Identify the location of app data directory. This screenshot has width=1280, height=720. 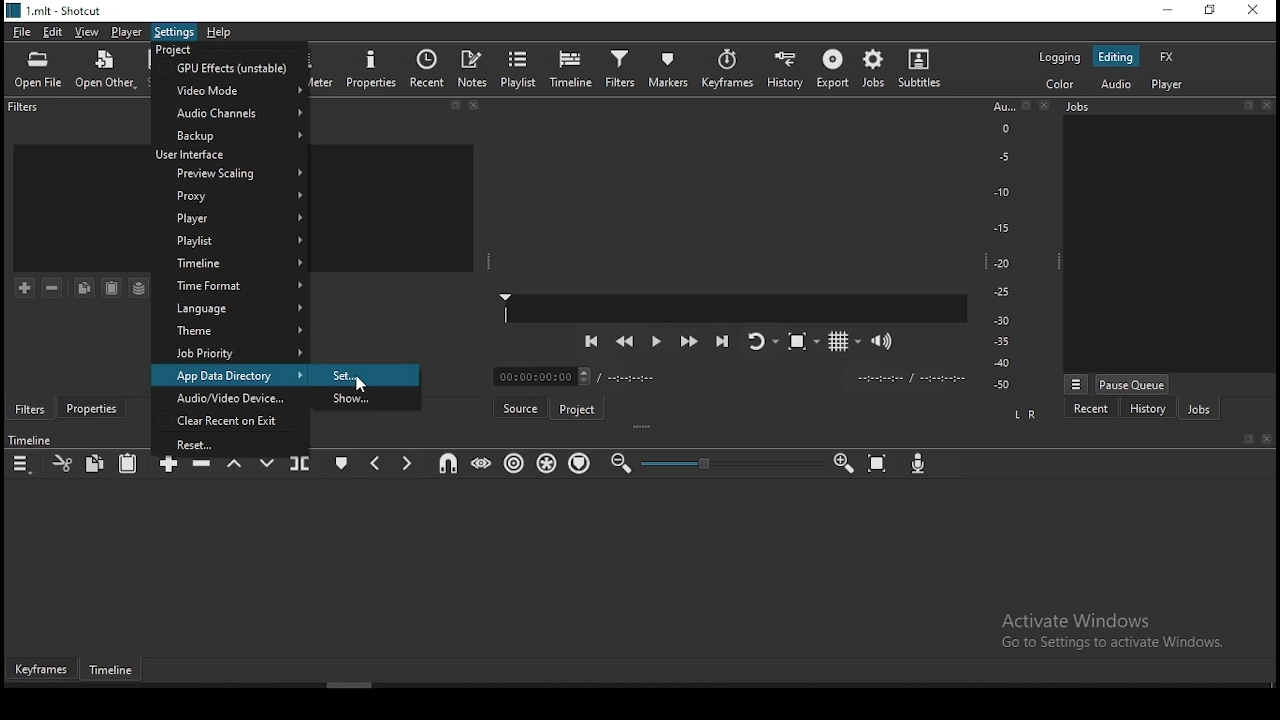
(231, 375).